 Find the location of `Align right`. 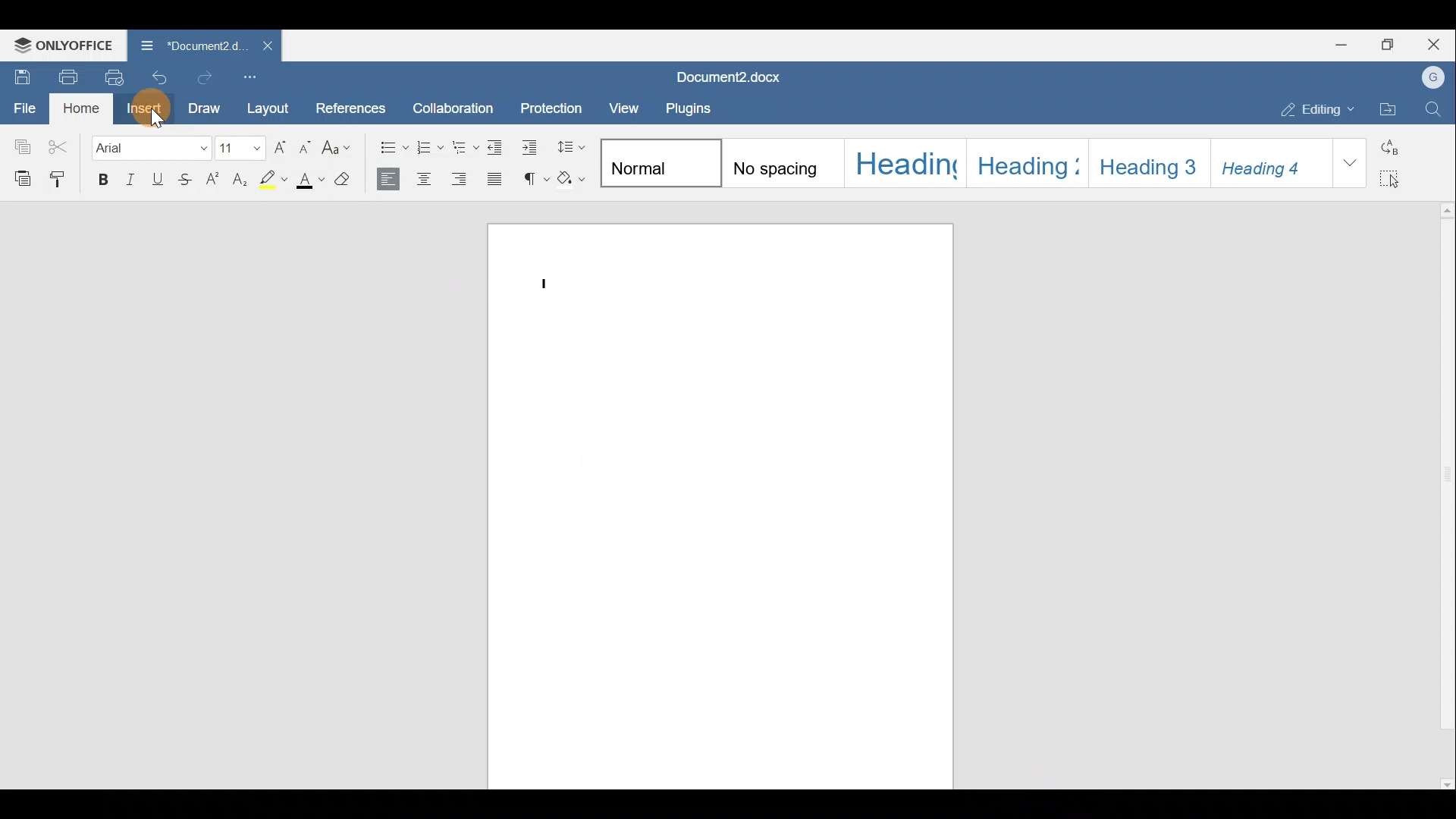

Align right is located at coordinates (460, 180).